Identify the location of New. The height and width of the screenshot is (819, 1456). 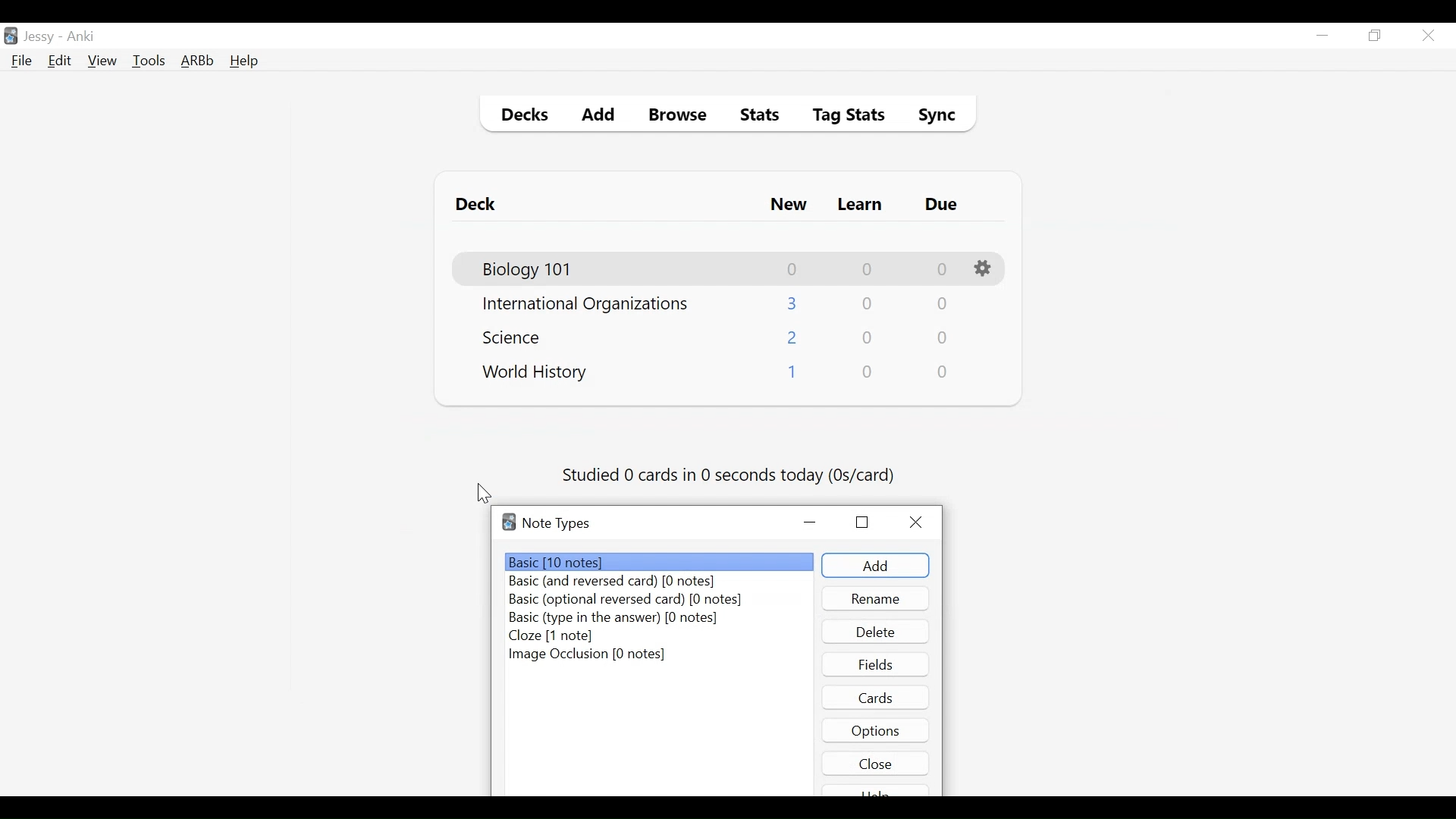
(789, 206).